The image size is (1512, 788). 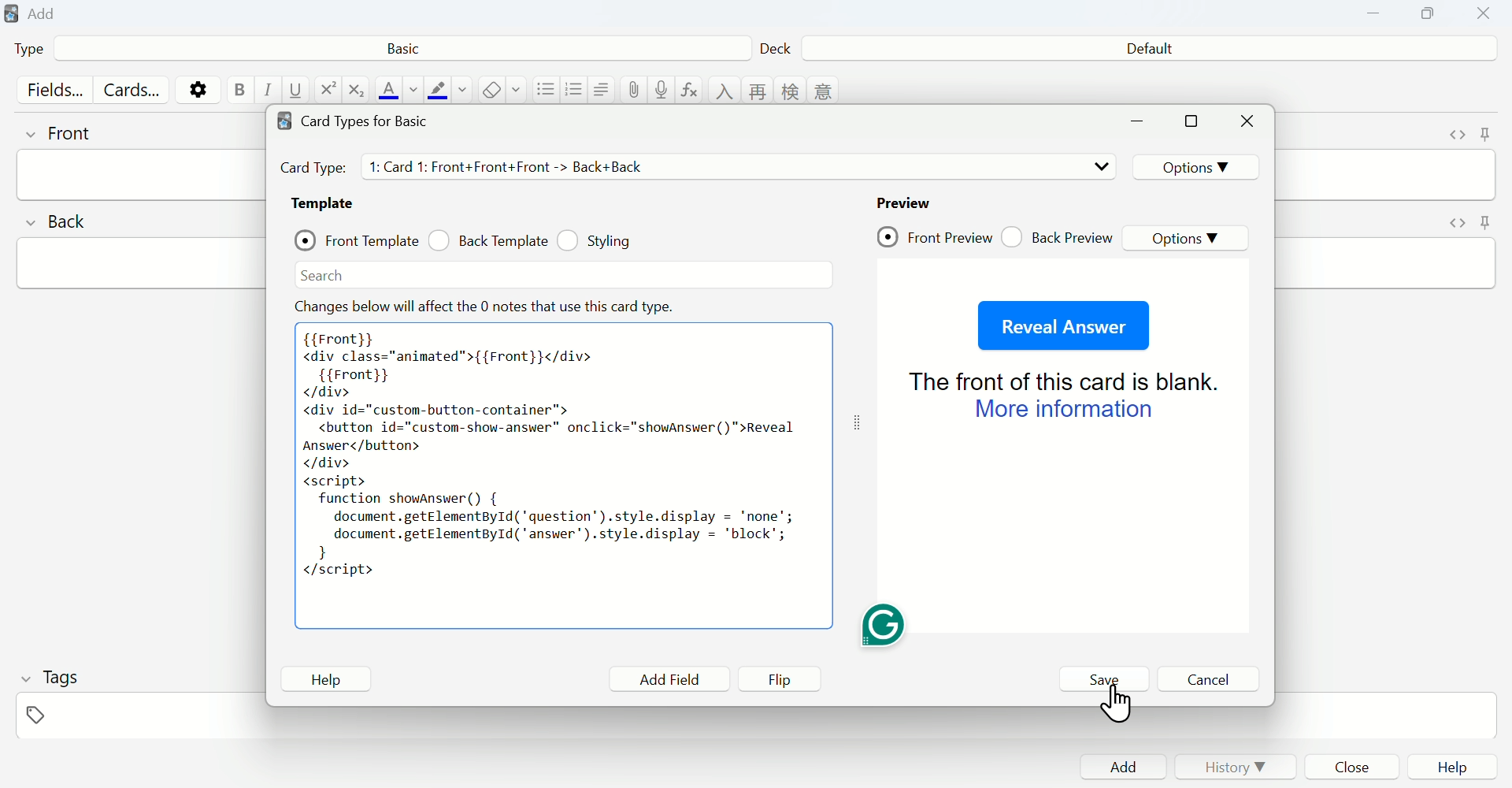 I want to click on Back Preview, so click(x=1058, y=238).